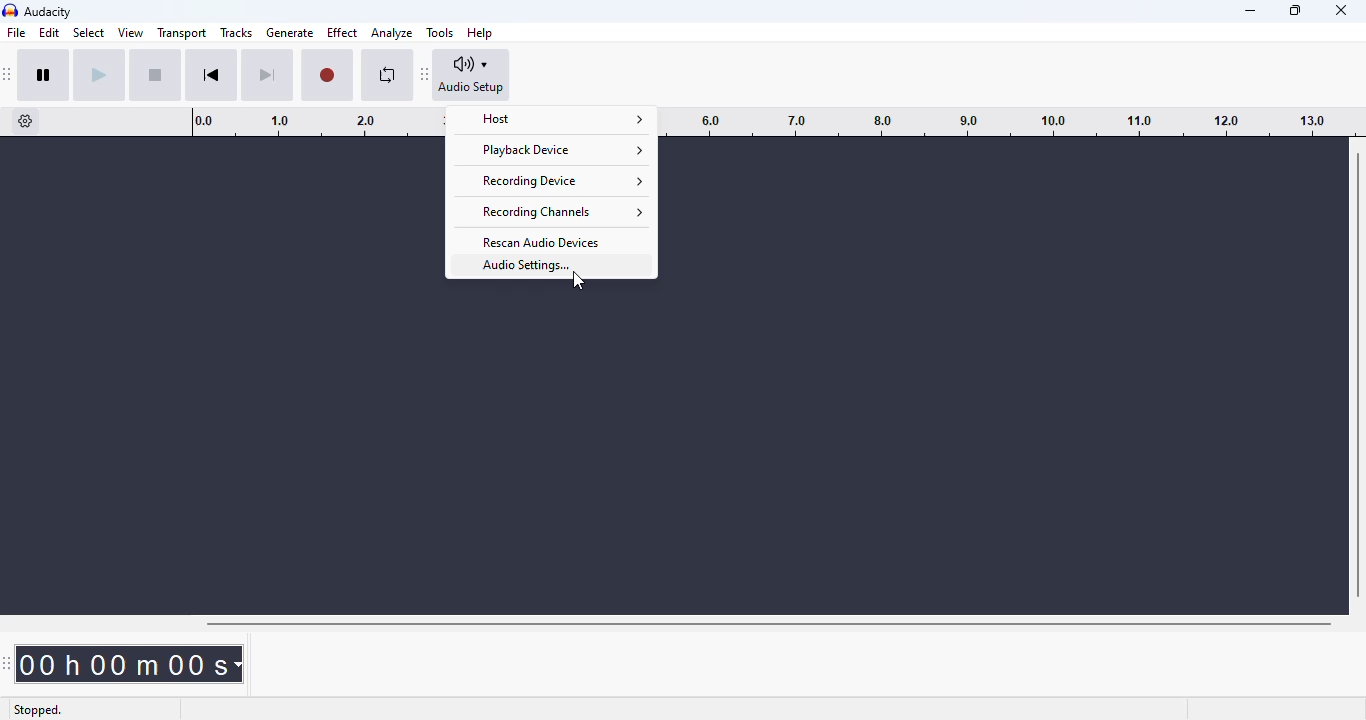  I want to click on play, so click(99, 75).